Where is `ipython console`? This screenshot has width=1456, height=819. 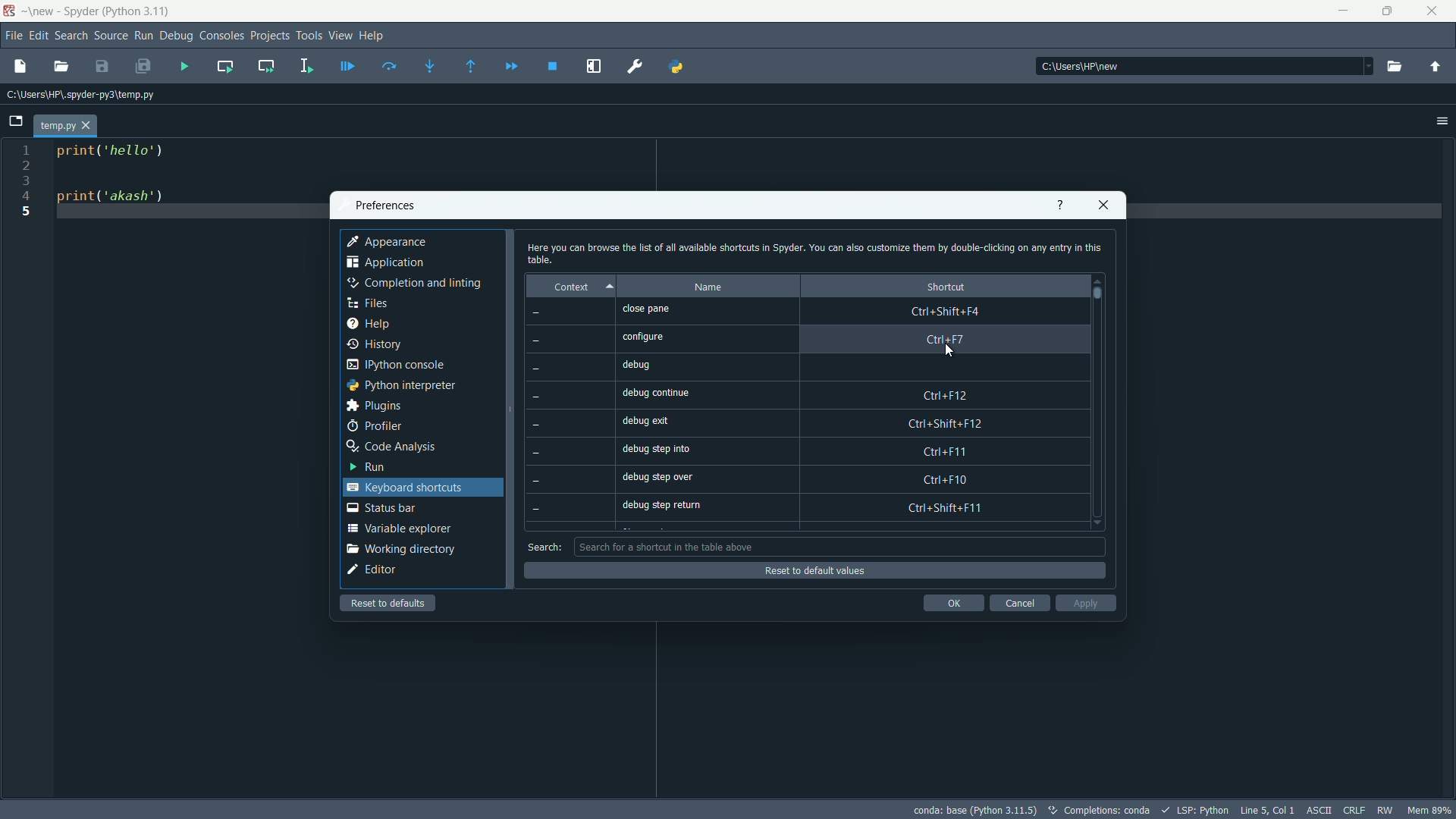 ipython console is located at coordinates (395, 366).